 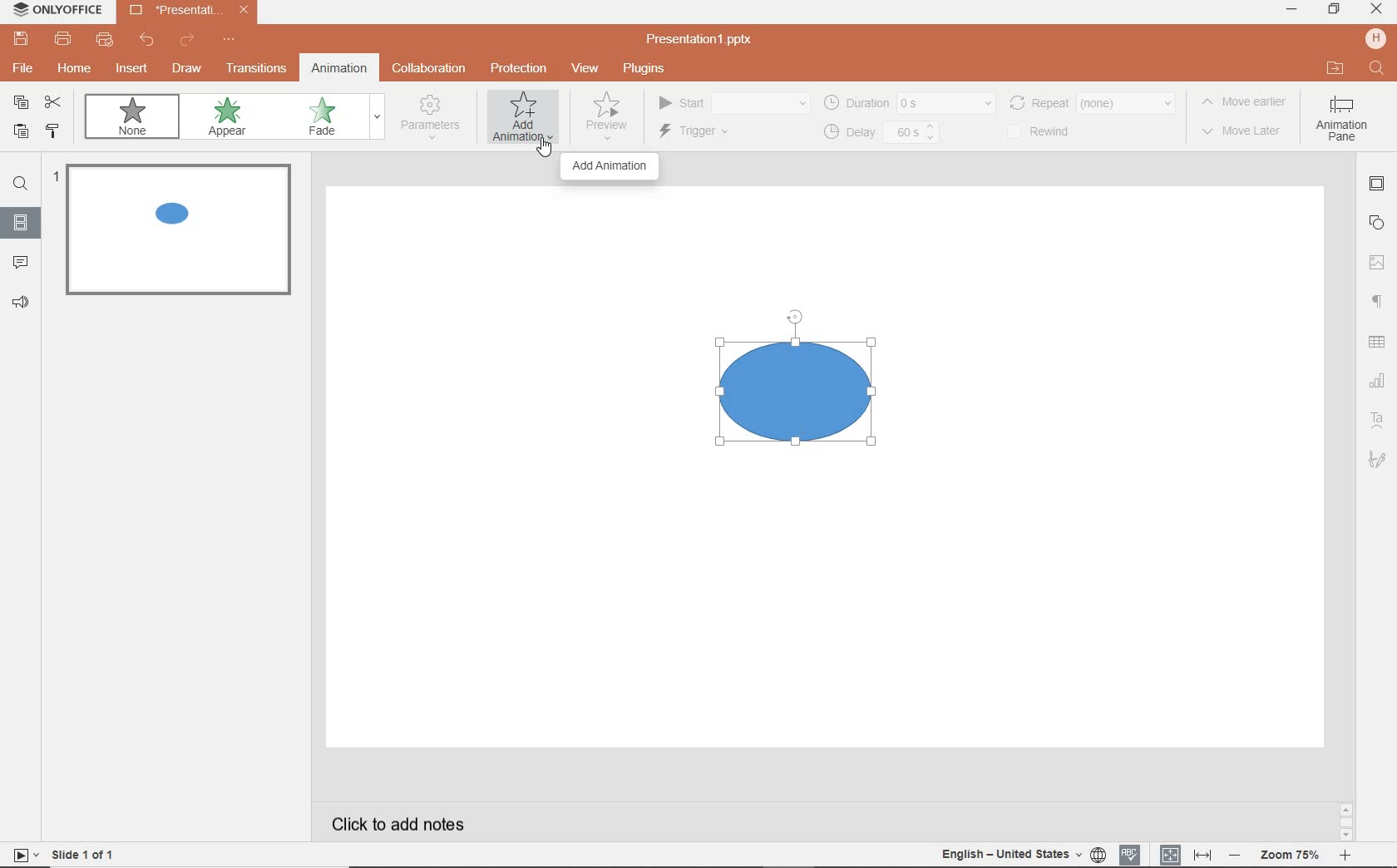 I want to click on COPY STYLE, so click(x=53, y=131).